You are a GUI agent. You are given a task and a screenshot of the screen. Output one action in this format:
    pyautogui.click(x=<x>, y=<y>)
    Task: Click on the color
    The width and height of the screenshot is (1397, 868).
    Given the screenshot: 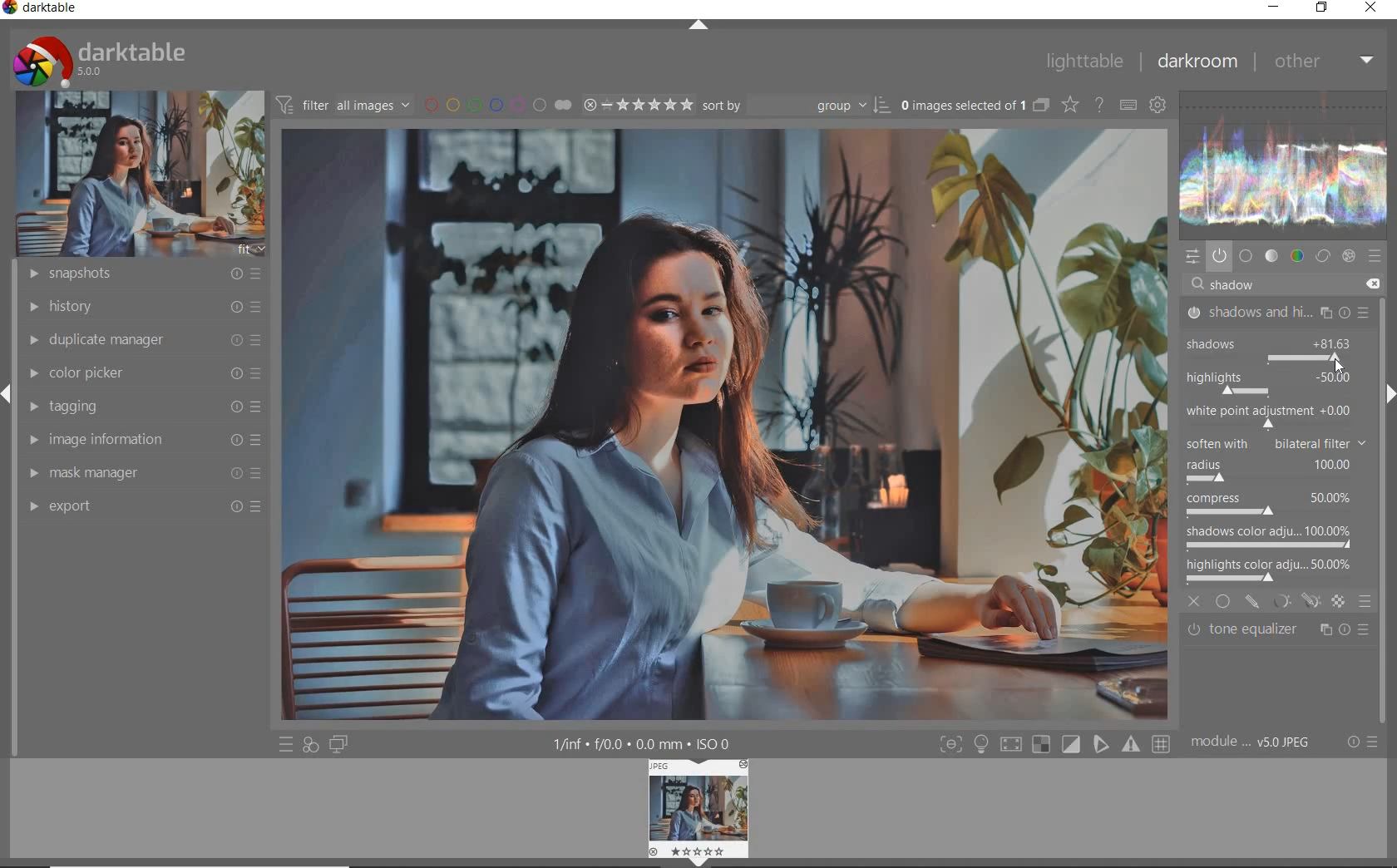 What is the action you would take?
    pyautogui.click(x=1296, y=256)
    